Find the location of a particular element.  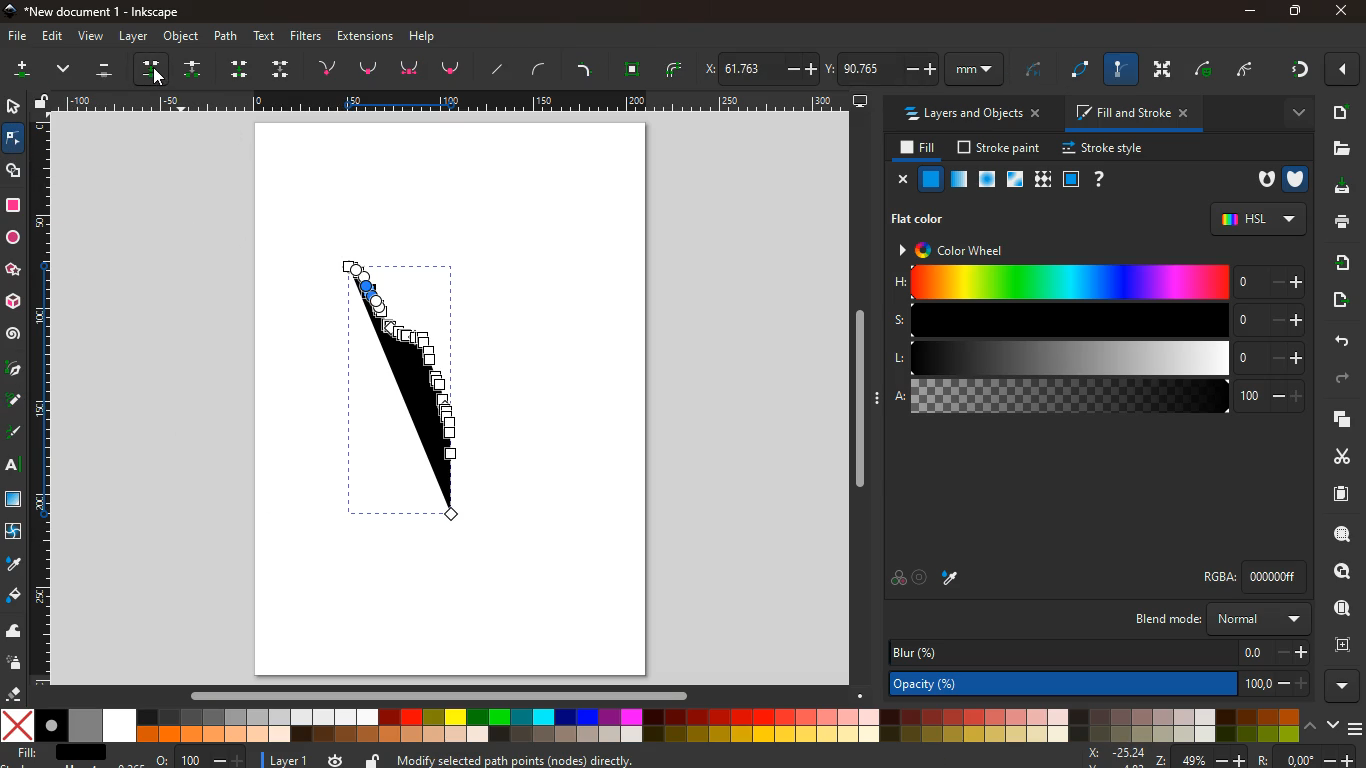

overlap is located at coordinates (898, 578).